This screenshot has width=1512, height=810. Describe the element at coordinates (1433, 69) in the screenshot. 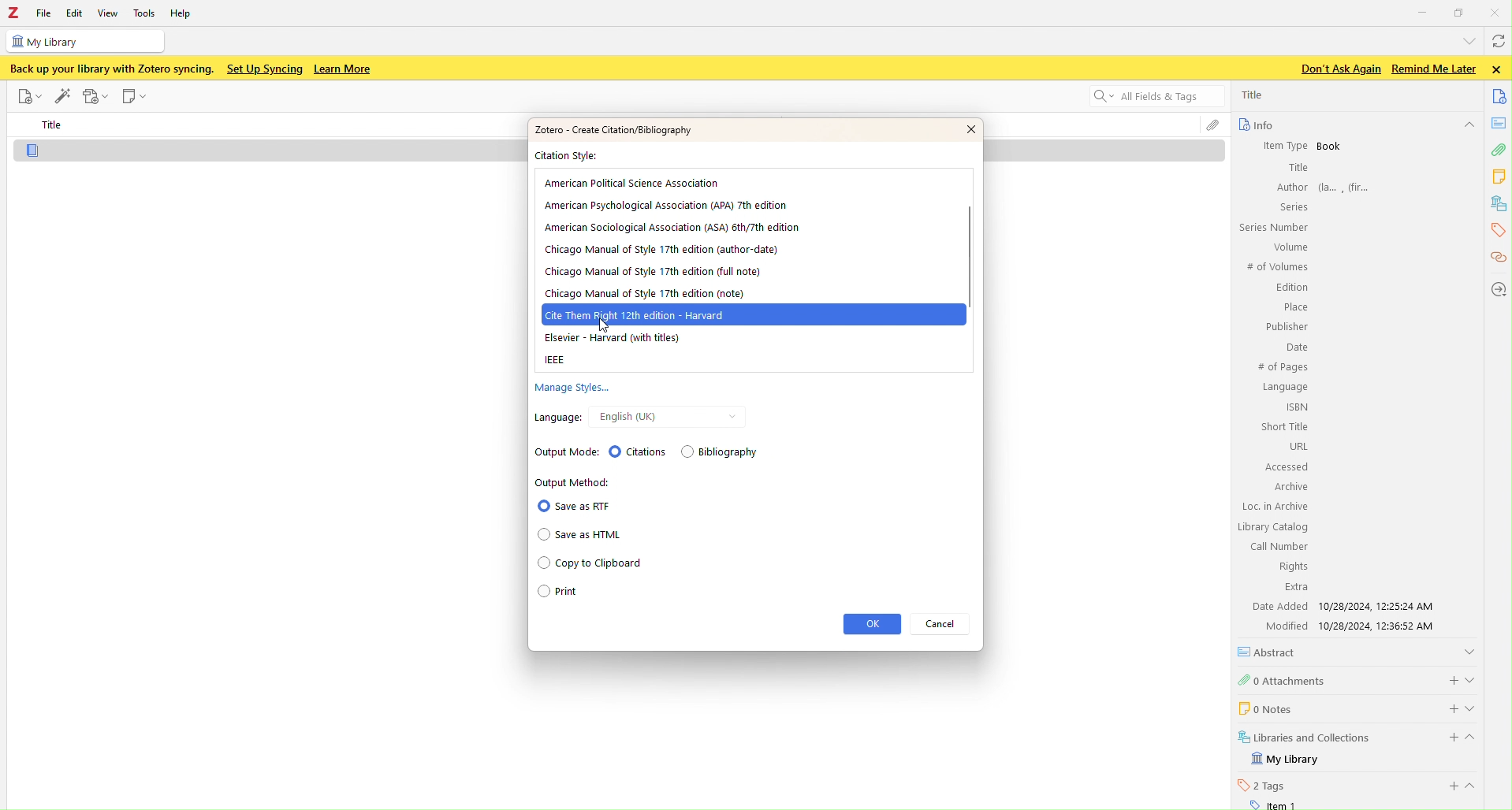

I see `Remind Me Later` at that location.